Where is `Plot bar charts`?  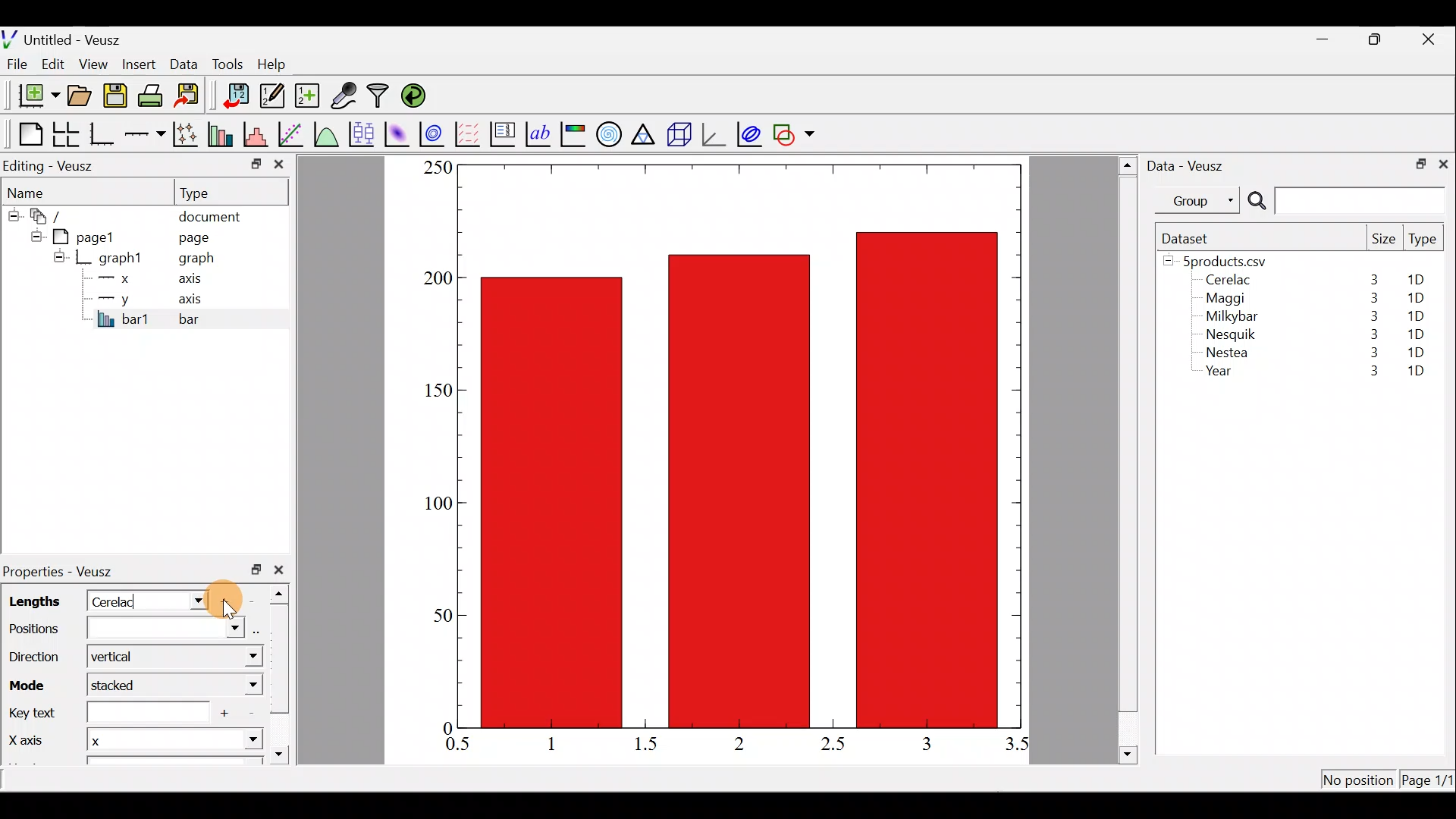 Plot bar charts is located at coordinates (222, 133).